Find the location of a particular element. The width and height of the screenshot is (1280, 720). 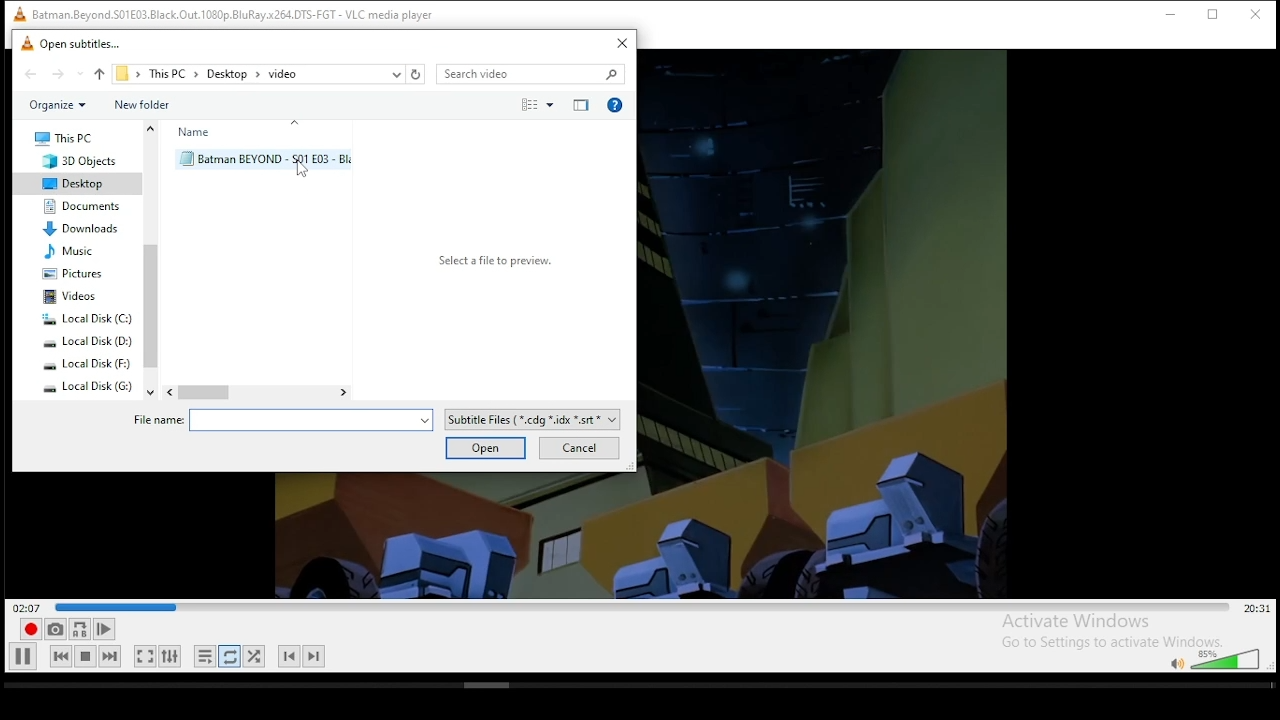

toggle playlist is located at coordinates (205, 656).